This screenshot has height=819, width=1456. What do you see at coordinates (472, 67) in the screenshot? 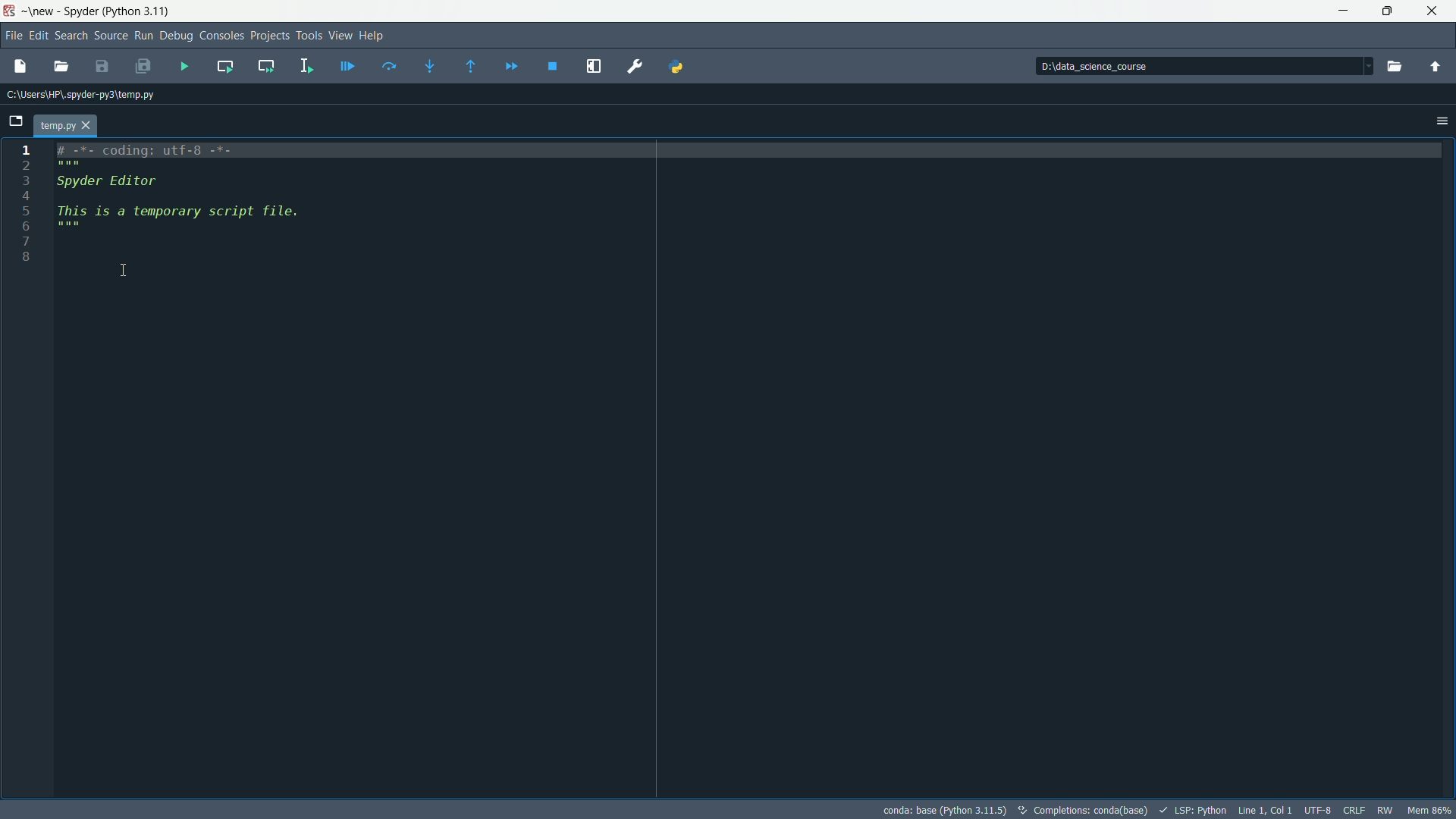
I see `execute until method or funtion return` at bounding box center [472, 67].